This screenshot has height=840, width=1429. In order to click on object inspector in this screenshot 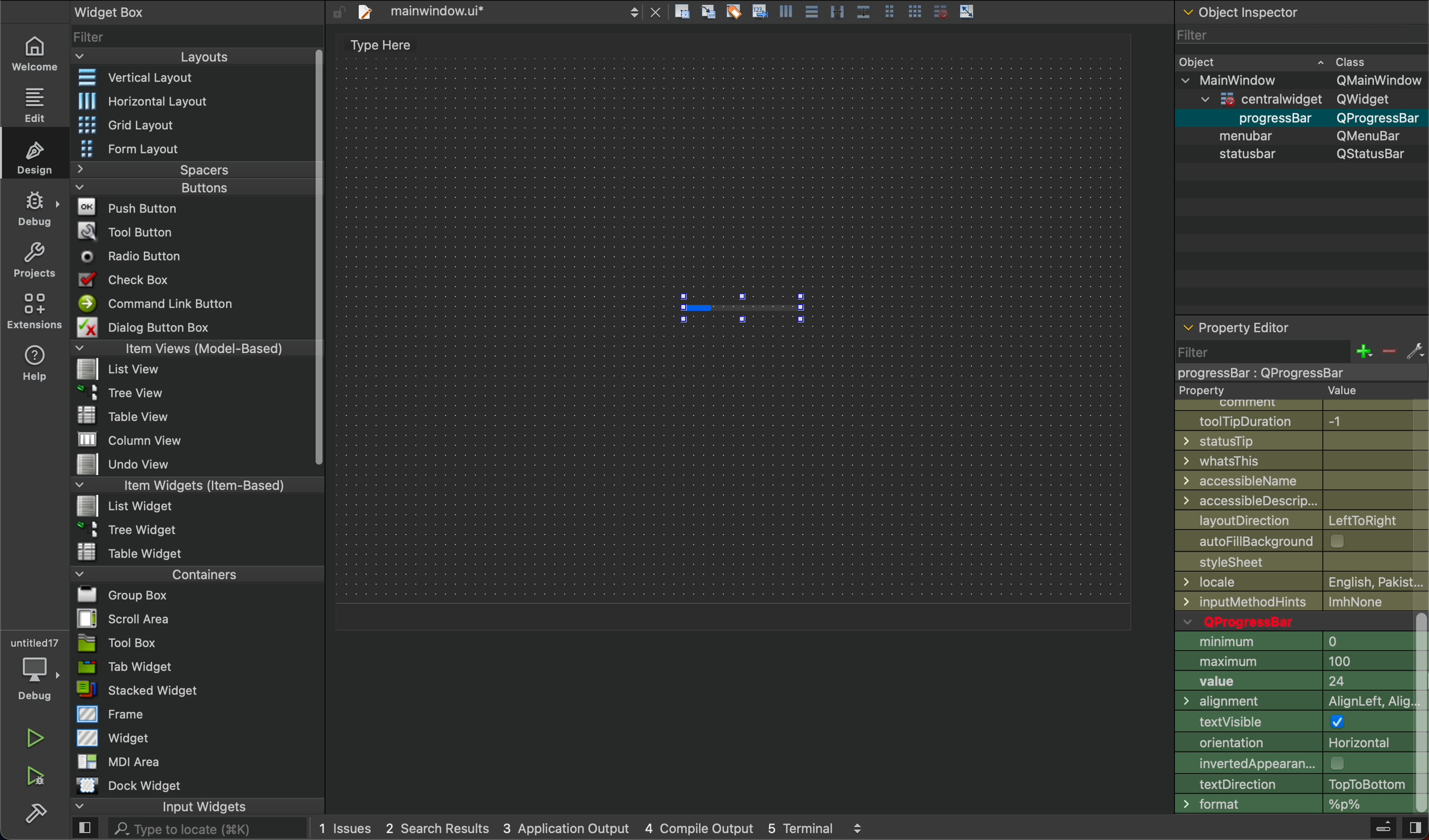, I will do `click(1300, 12)`.